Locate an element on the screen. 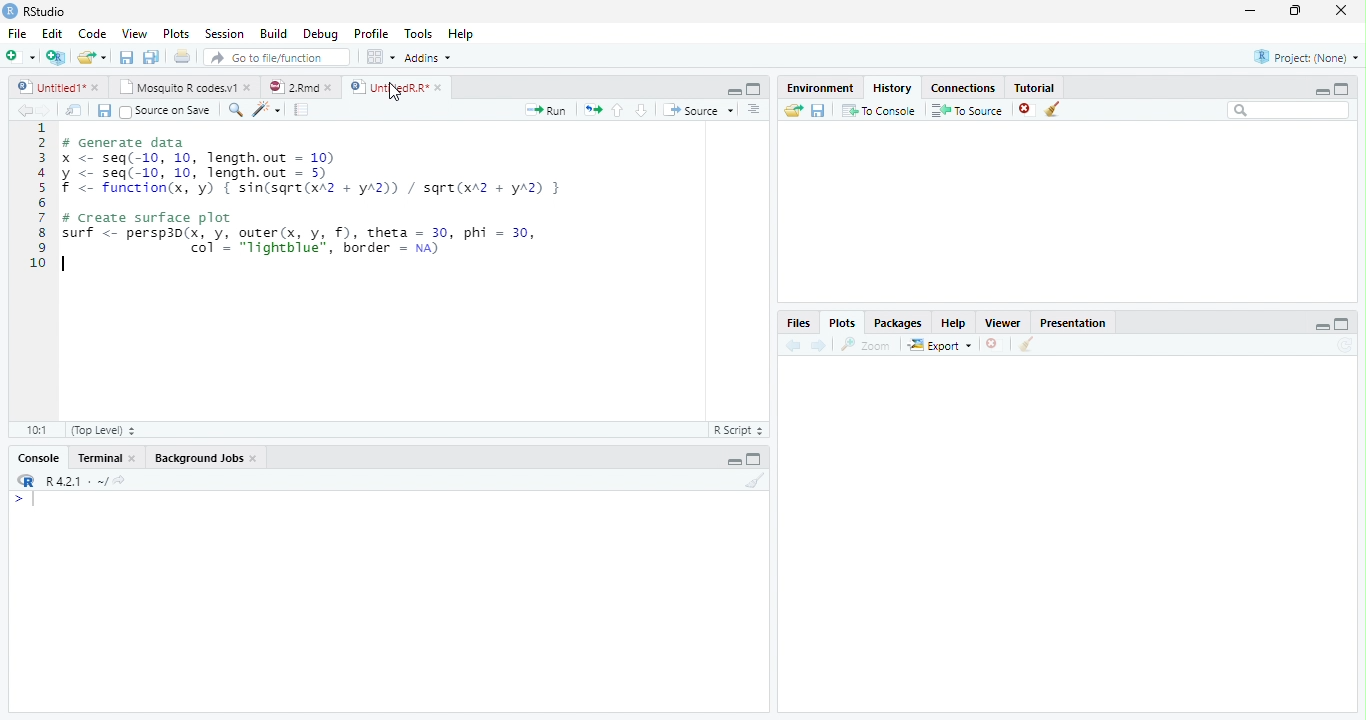  Workspace panes is located at coordinates (379, 56).